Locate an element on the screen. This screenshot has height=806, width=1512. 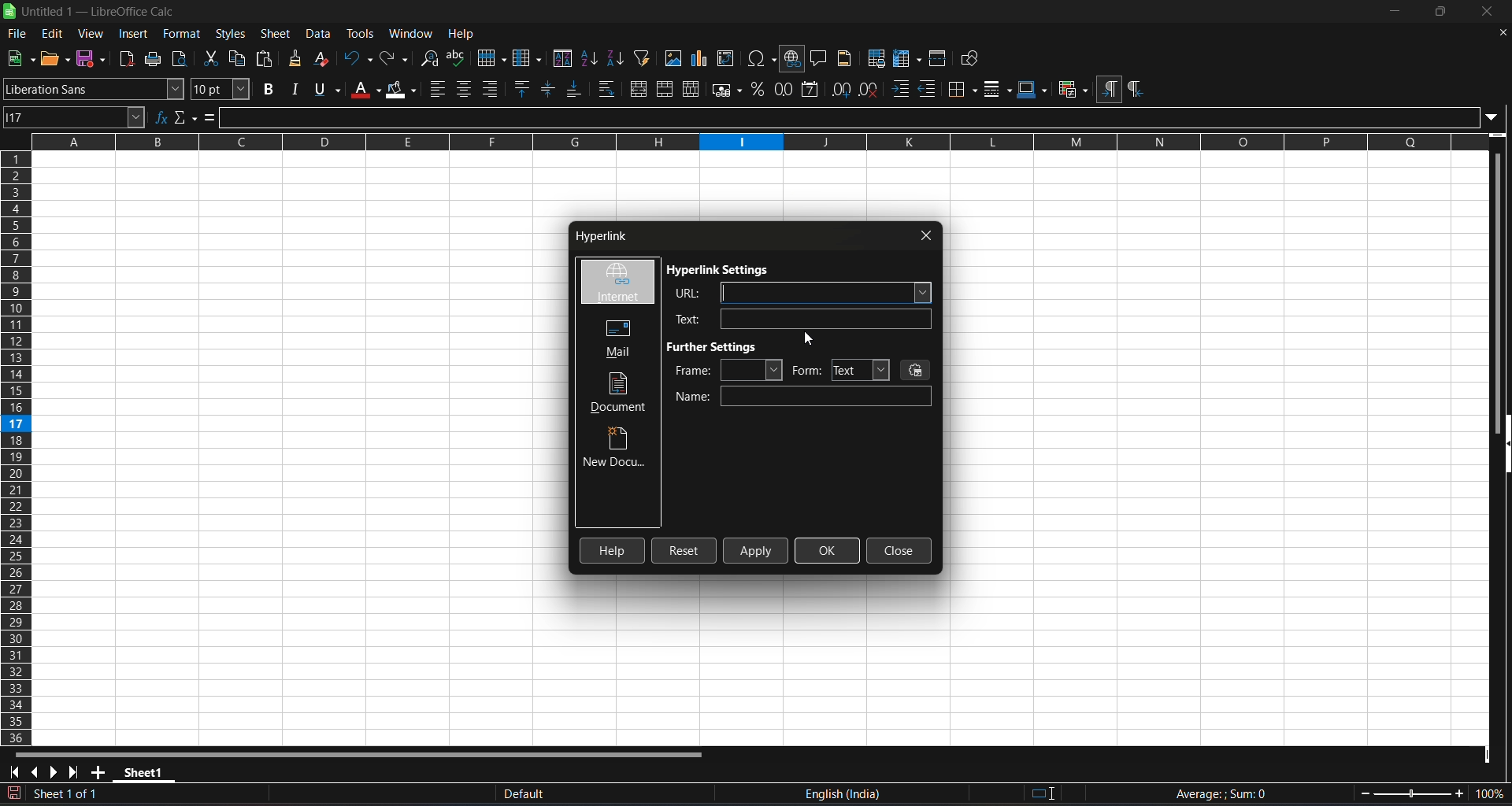
font color is located at coordinates (365, 89).